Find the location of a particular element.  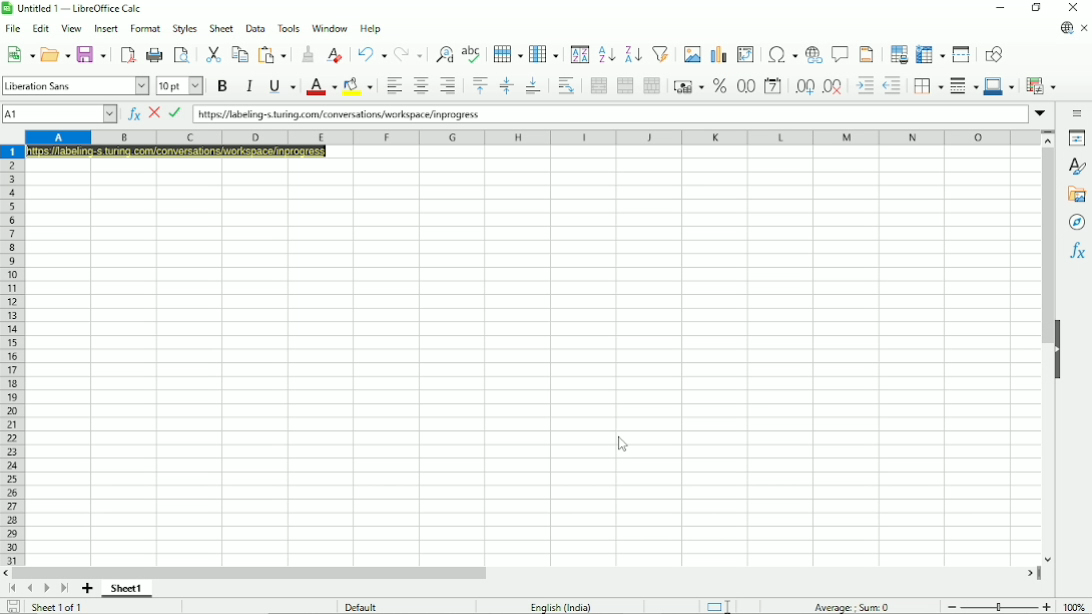

Borders is located at coordinates (928, 86).